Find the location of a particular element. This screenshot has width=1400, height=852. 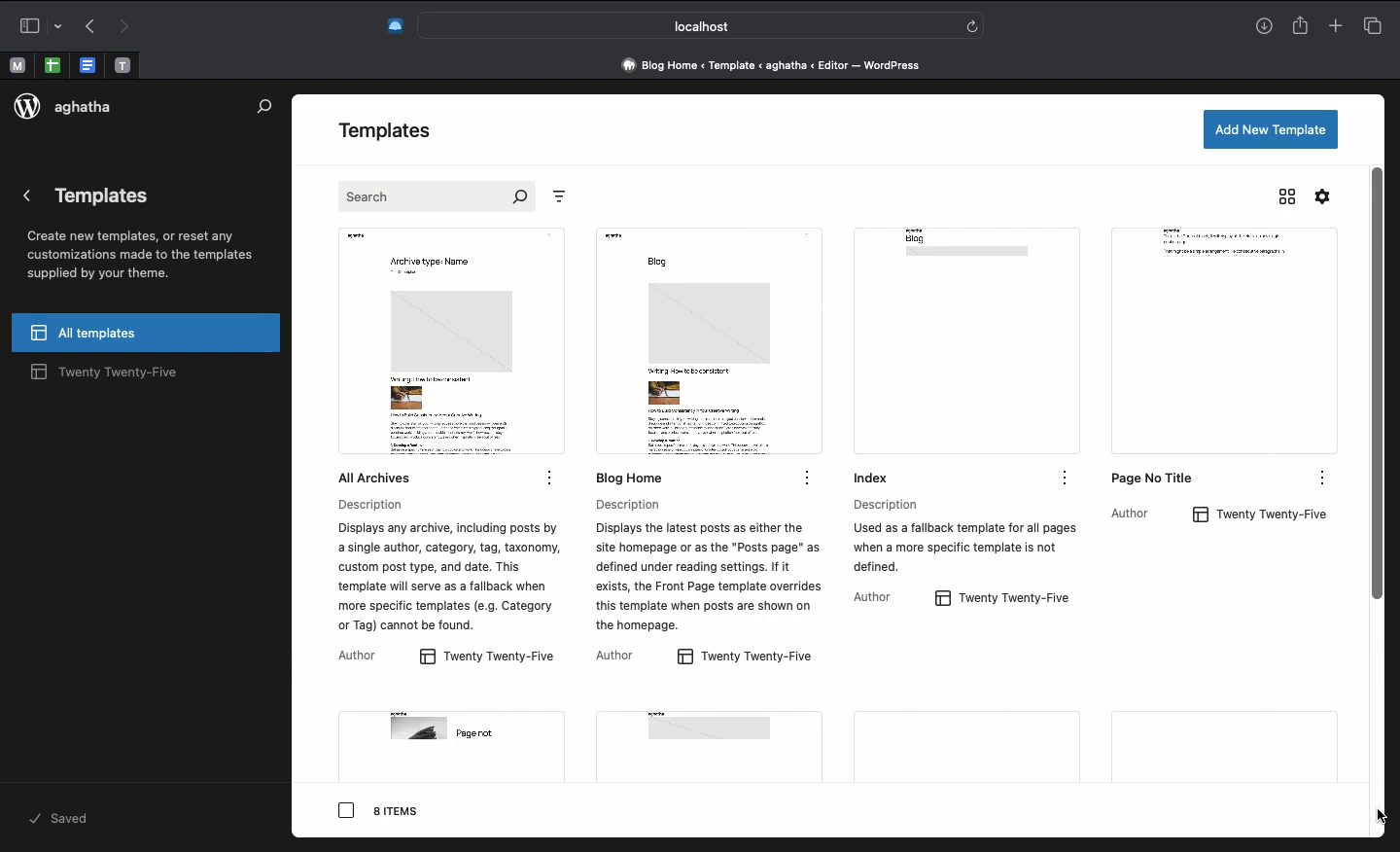

Add a new template is located at coordinates (1269, 129).